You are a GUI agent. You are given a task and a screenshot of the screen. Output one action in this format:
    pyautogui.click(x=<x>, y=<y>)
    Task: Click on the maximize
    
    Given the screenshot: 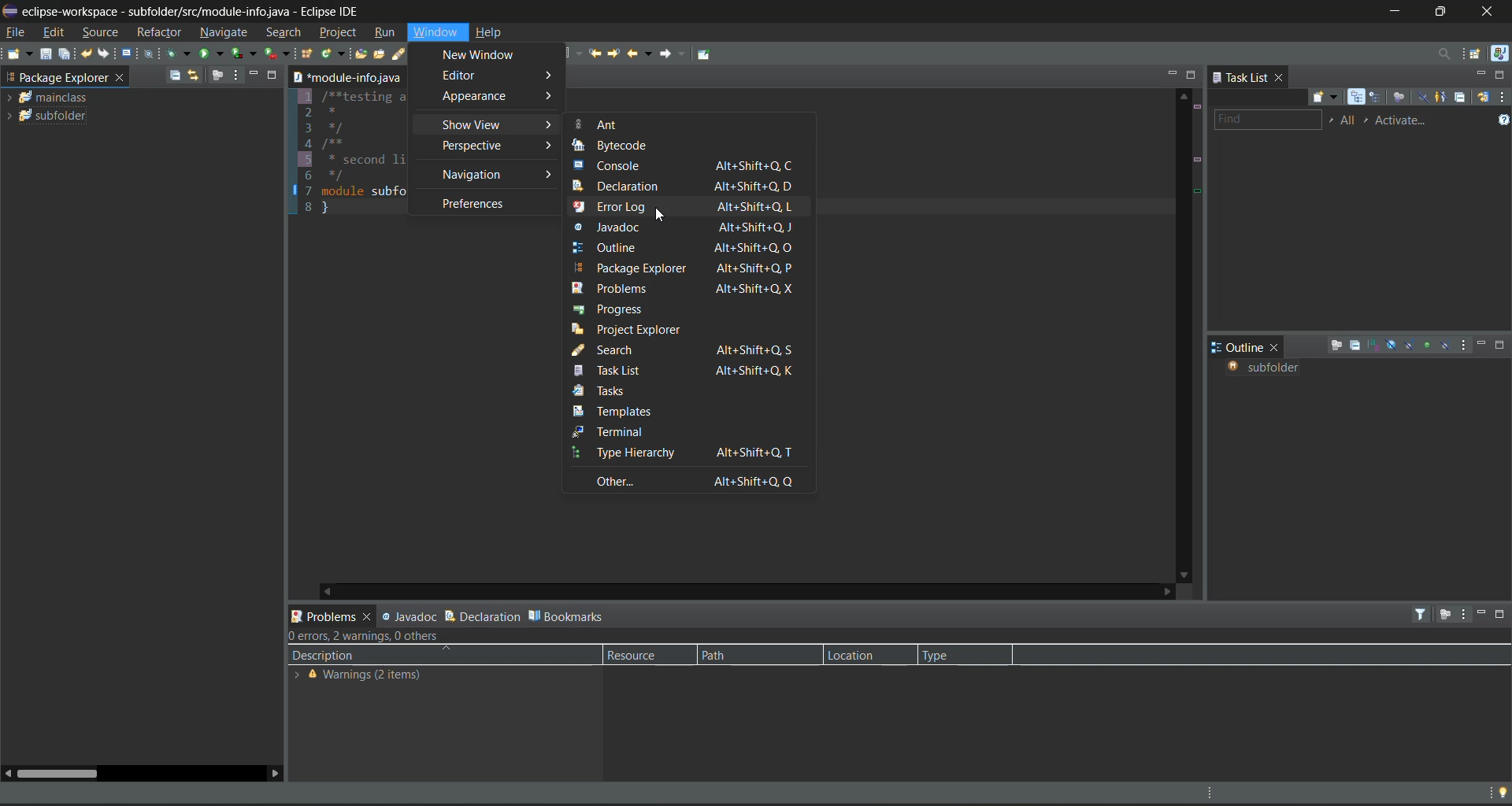 What is the action you would take?
    pyautogui.click(x=277, y=74)
    